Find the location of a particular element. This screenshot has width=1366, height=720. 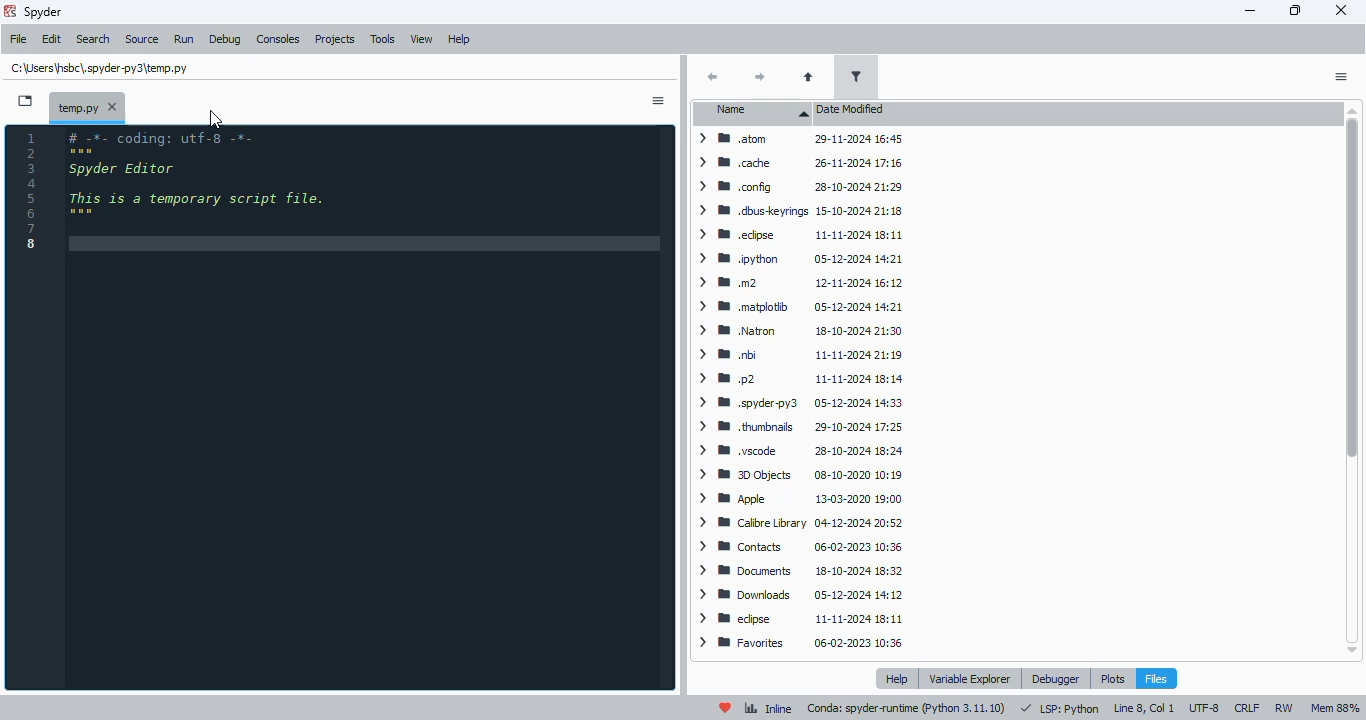

> BW spyderpy3 05-12-2024 14:33 is located at coordinates (796, 402).